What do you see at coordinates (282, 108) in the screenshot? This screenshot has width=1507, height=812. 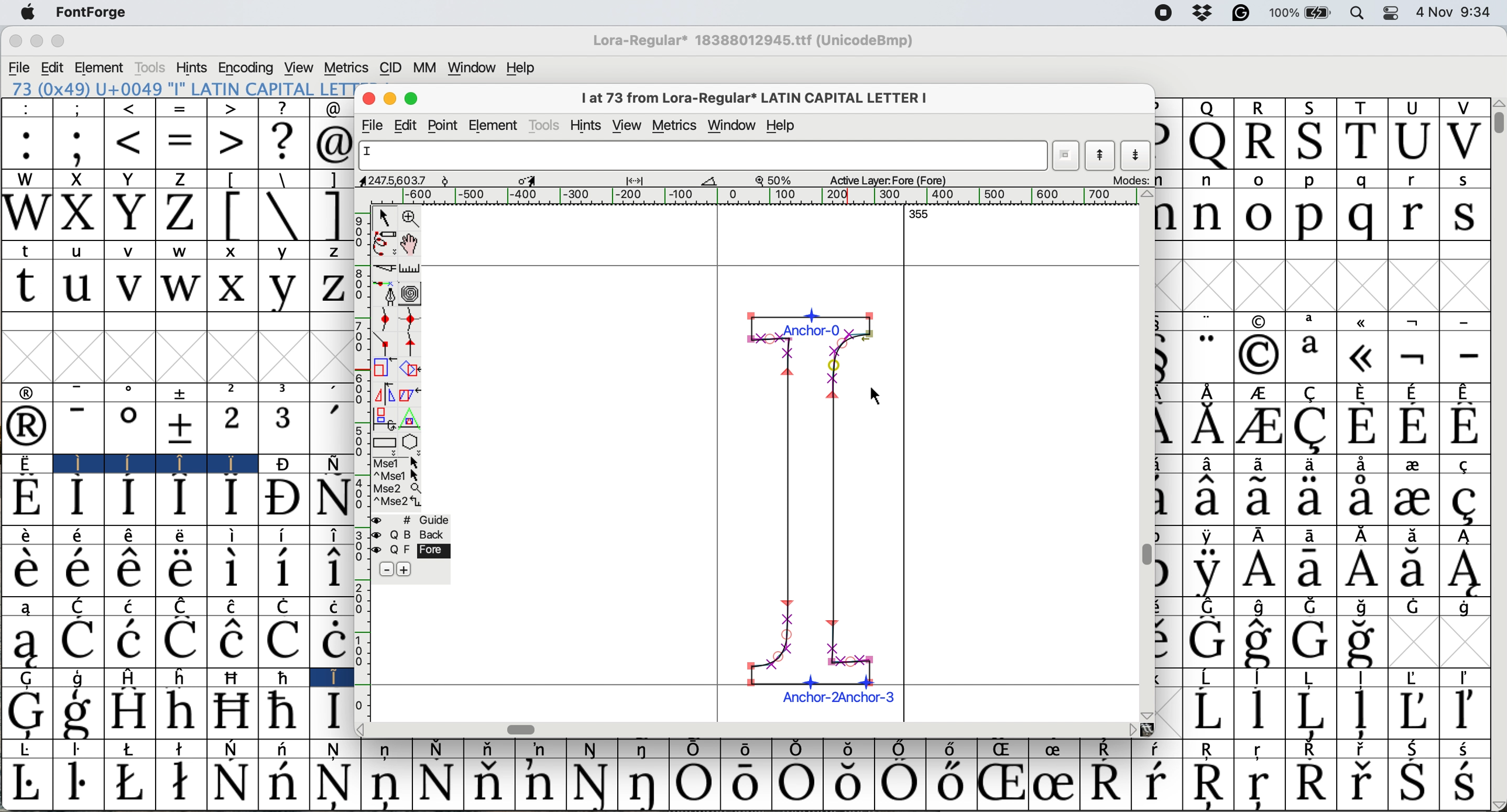 I see `?` at bounding box center [282, 108].